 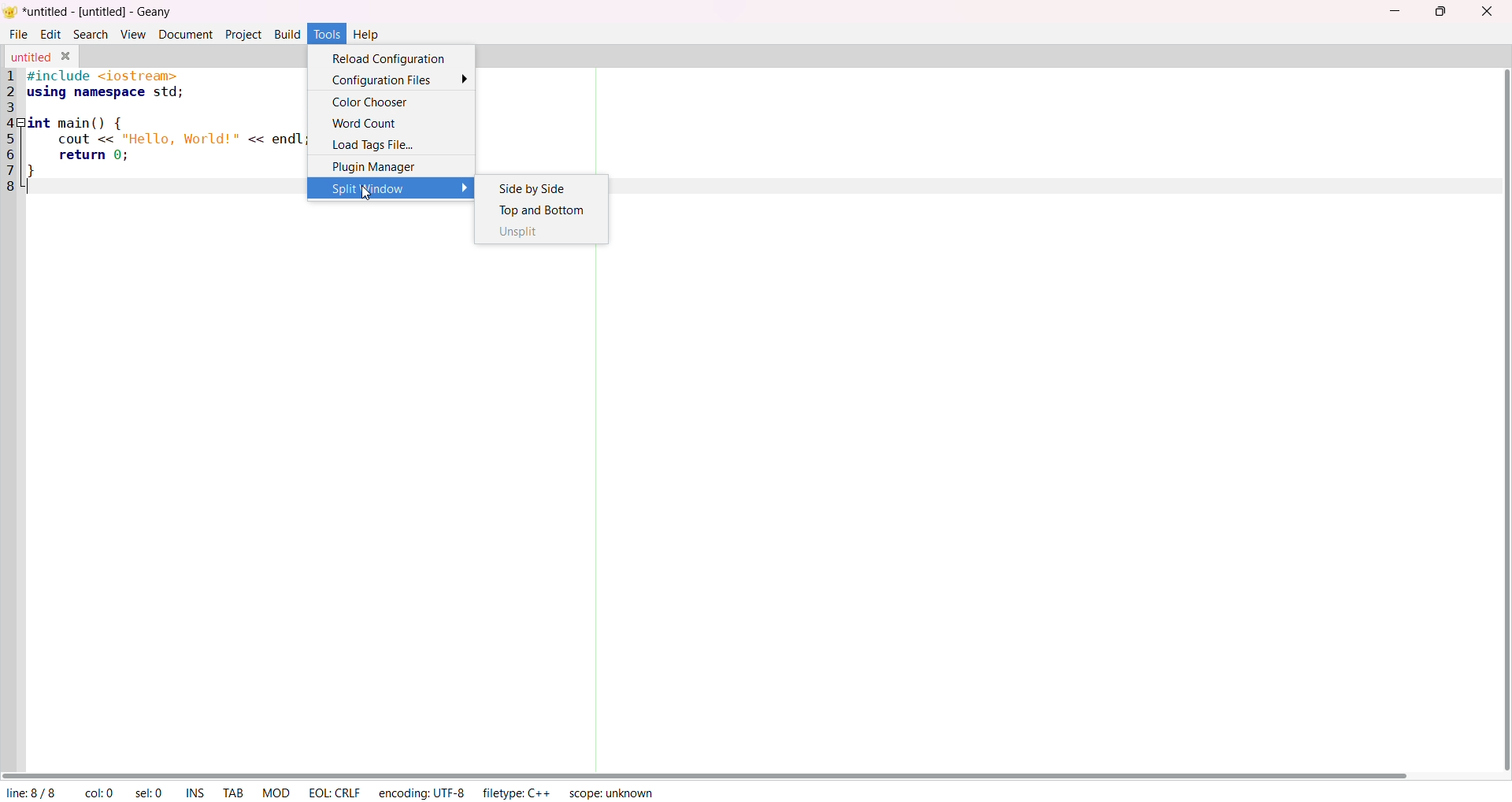 What do you see at coordinates (235, 791) in the screenshot?
I see `TAB` at bounding box center [235, 791].